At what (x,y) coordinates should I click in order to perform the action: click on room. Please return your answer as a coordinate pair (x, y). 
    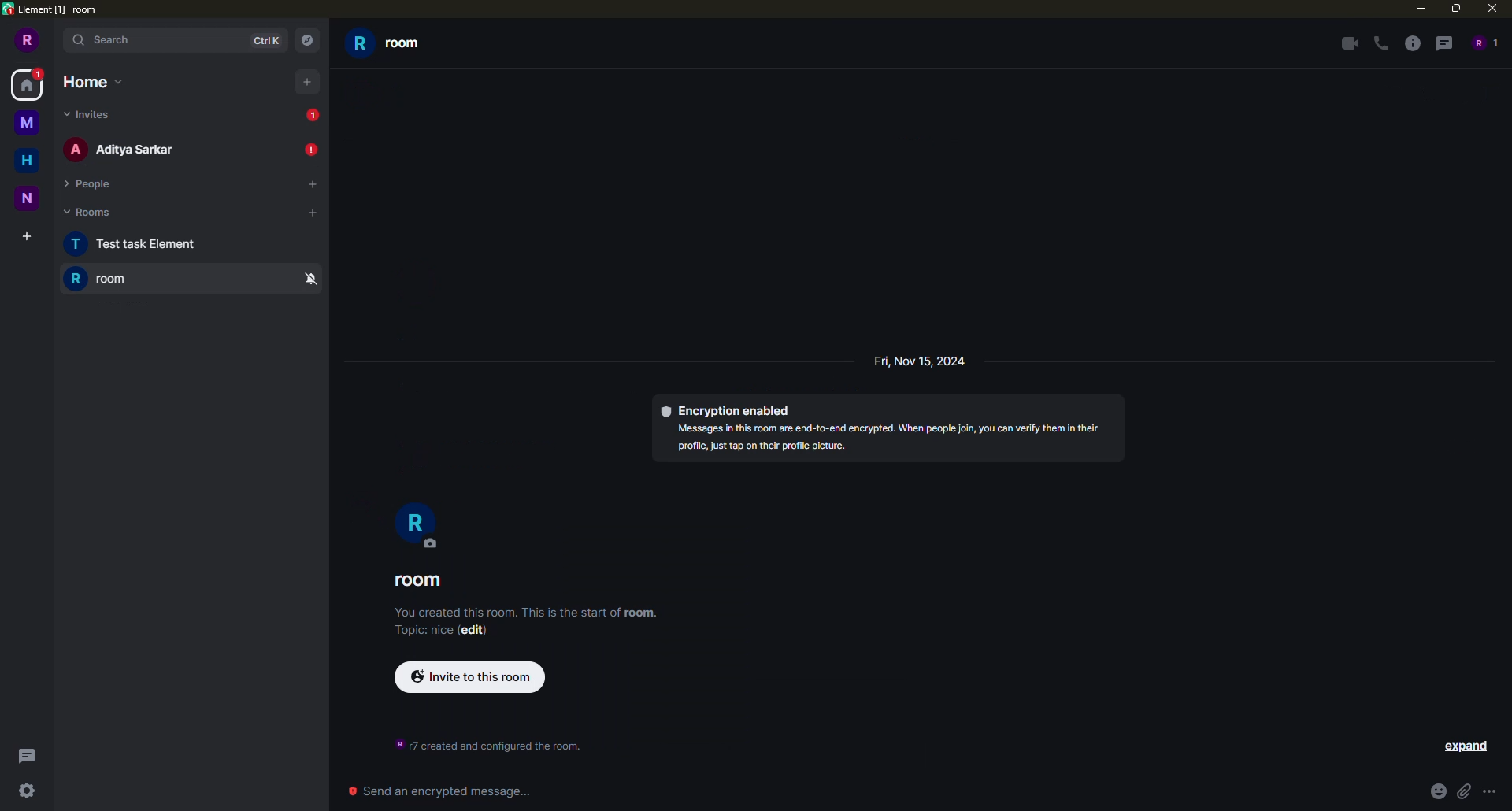
    Looking at the image, I should click on (419, 580).